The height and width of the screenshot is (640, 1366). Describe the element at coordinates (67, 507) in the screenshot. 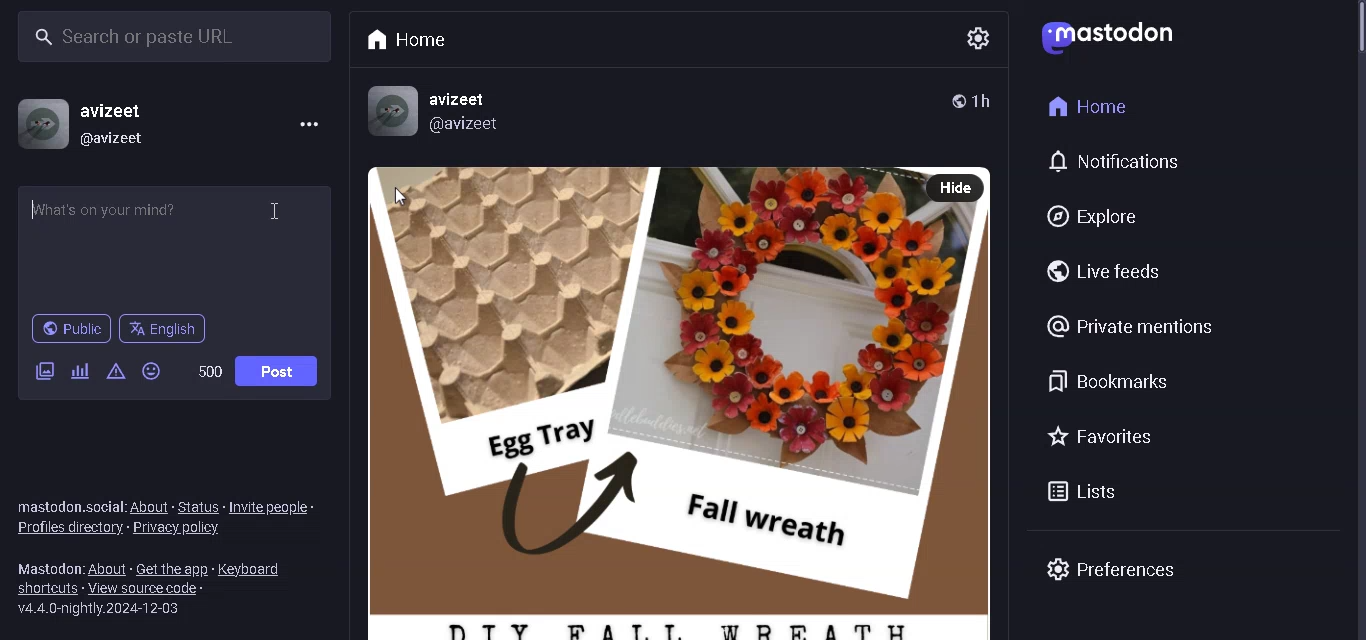

I see `TEXT` at that location.